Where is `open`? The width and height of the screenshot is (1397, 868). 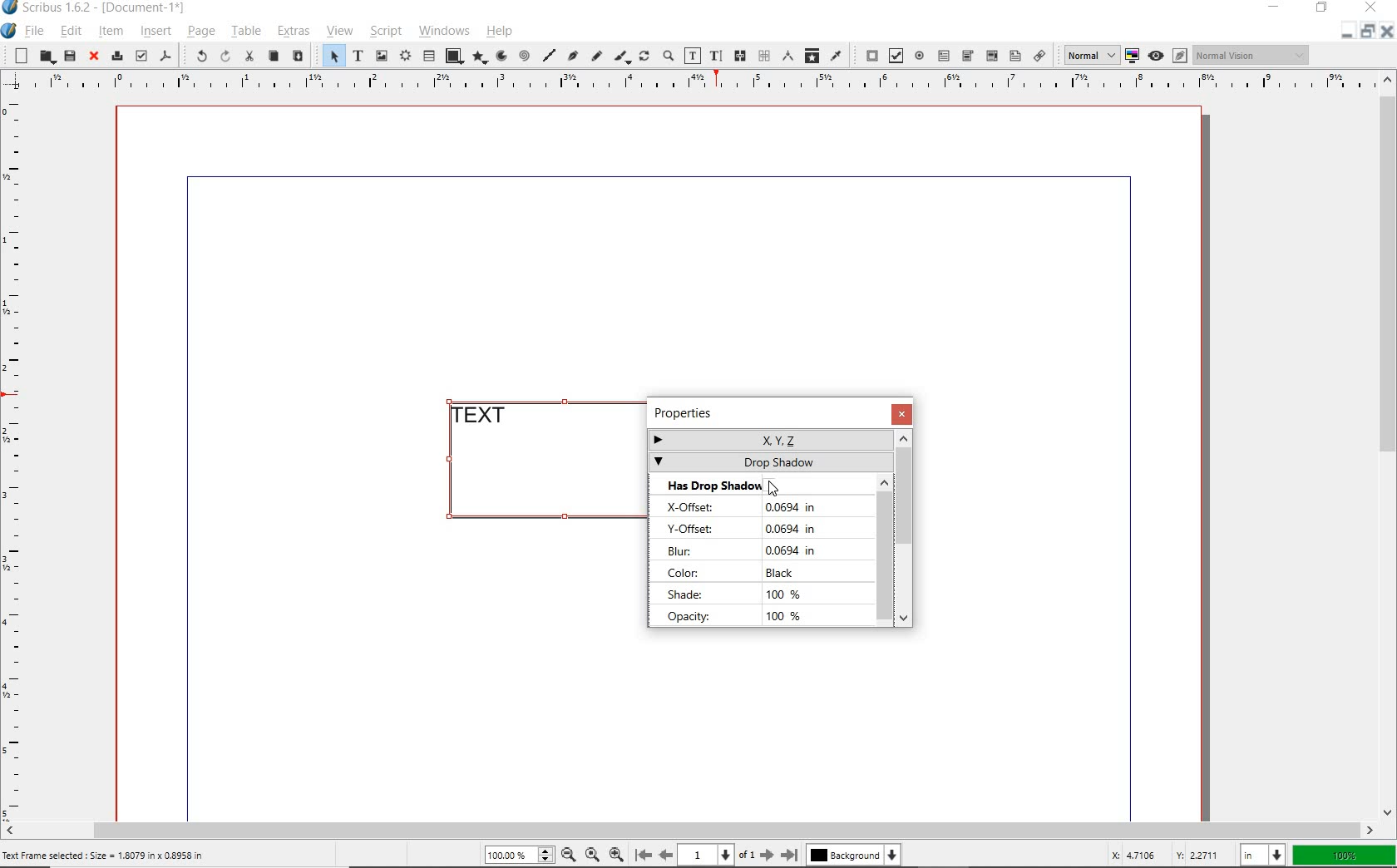 open is located at coordinates (45, 57).